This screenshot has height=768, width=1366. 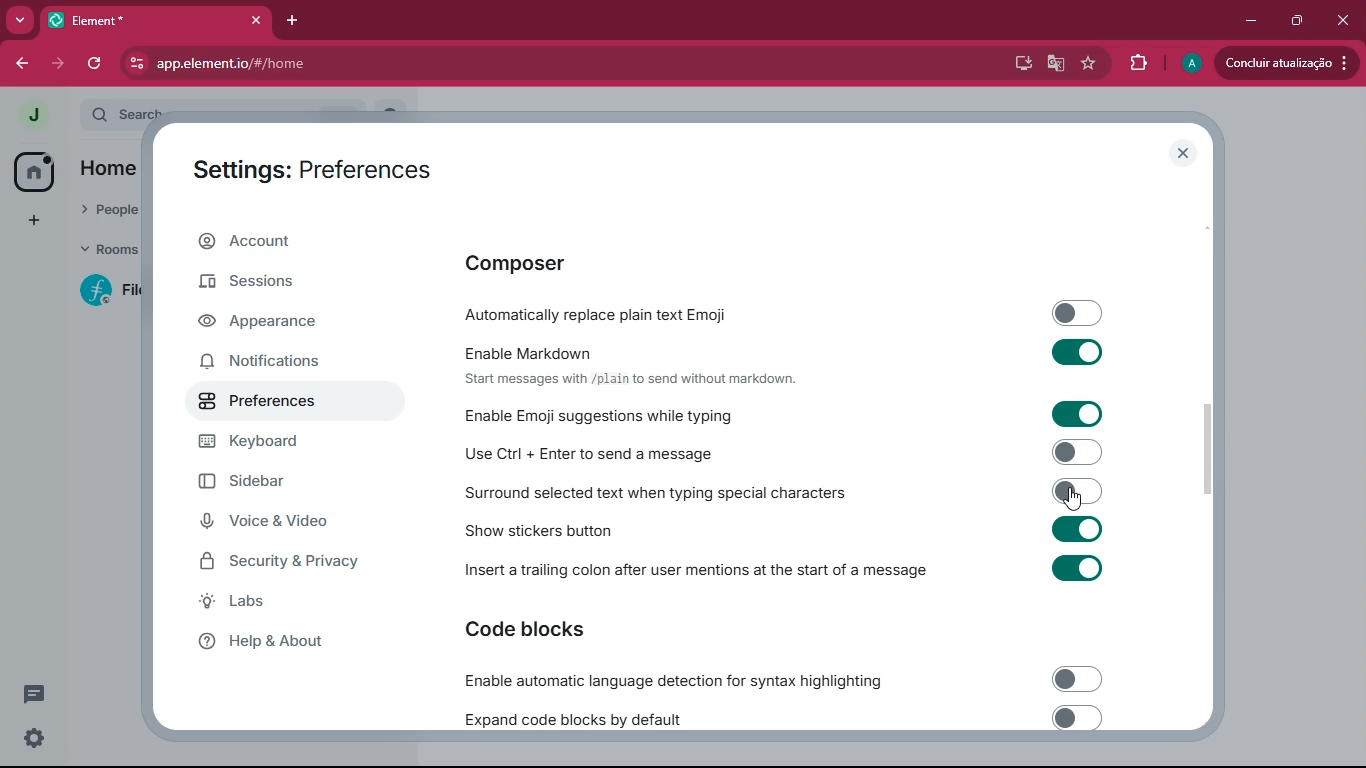 I want to click on element, so click(x=155, y=22).